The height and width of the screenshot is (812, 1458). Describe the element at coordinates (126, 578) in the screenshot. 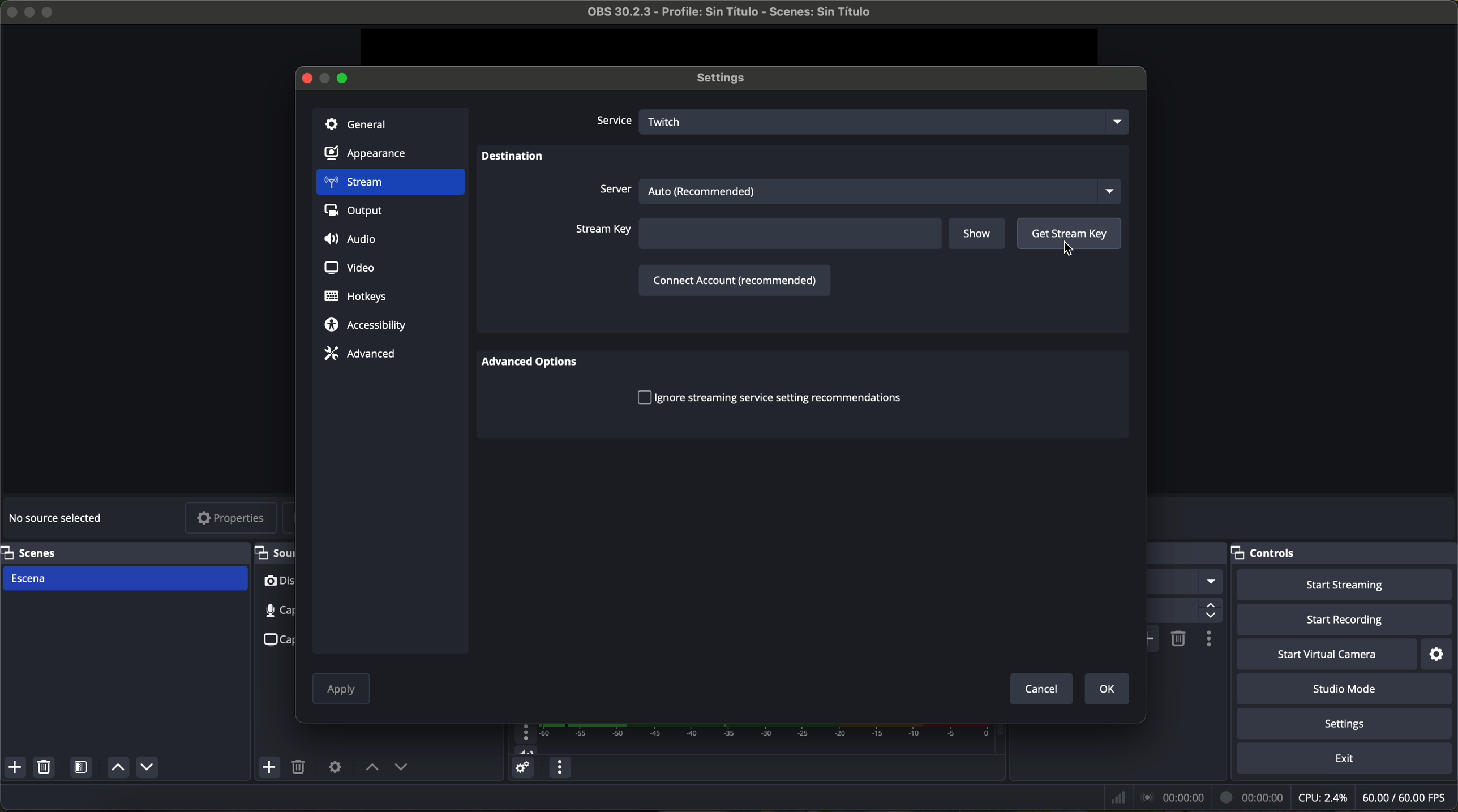

I see `scene` at that location.